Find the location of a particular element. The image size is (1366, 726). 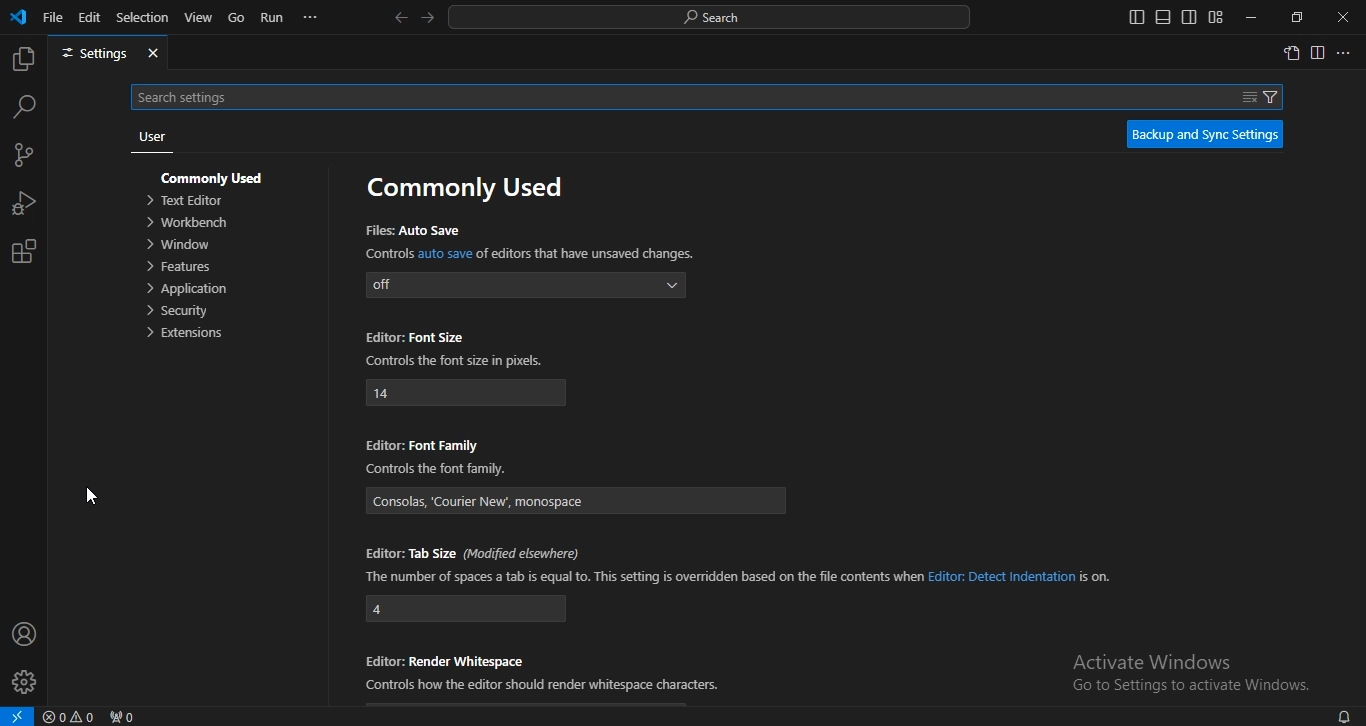

4 is located at coordinates (467, 609).